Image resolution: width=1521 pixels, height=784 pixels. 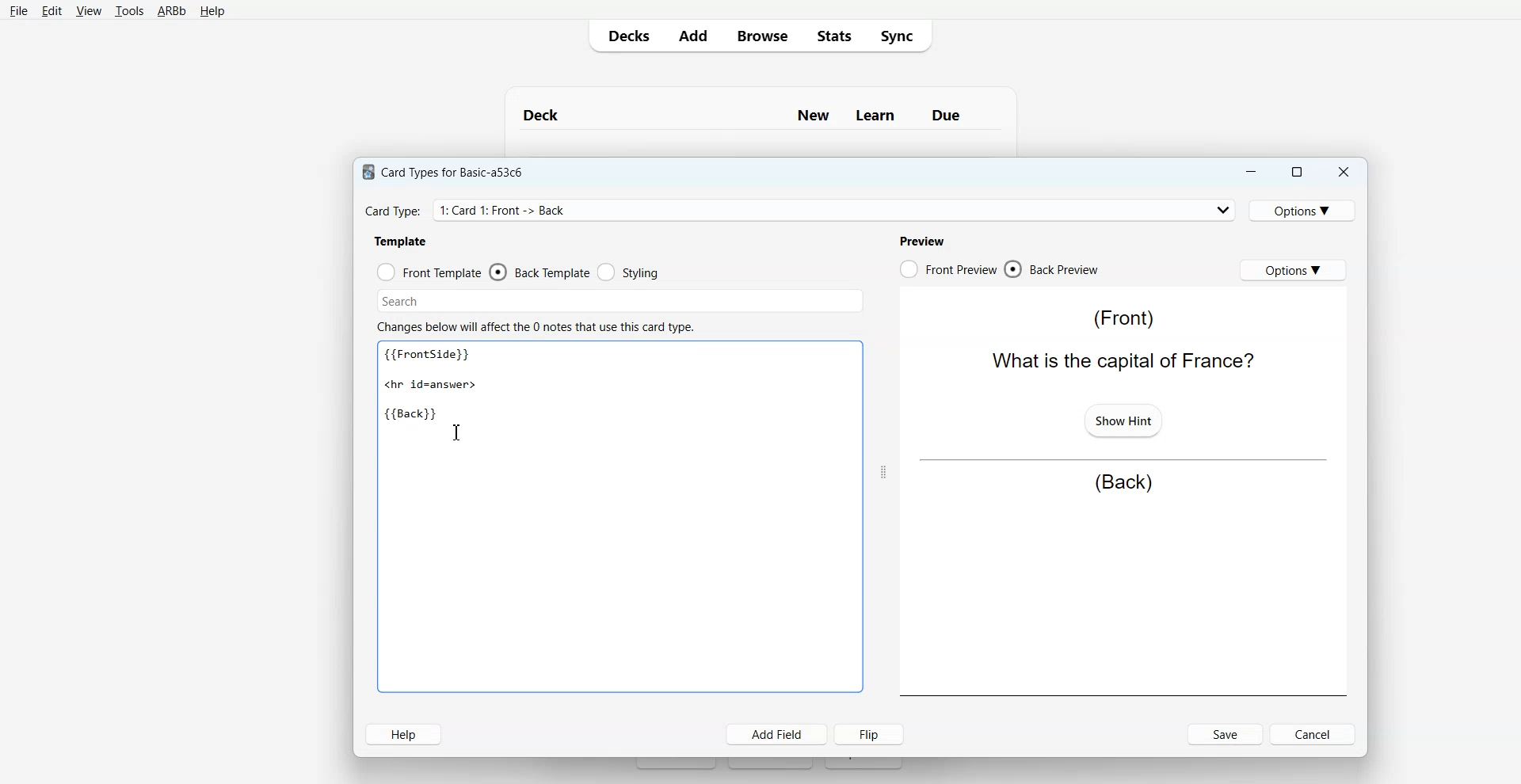 I want to click on Card Type, so click(x=801, y=210).